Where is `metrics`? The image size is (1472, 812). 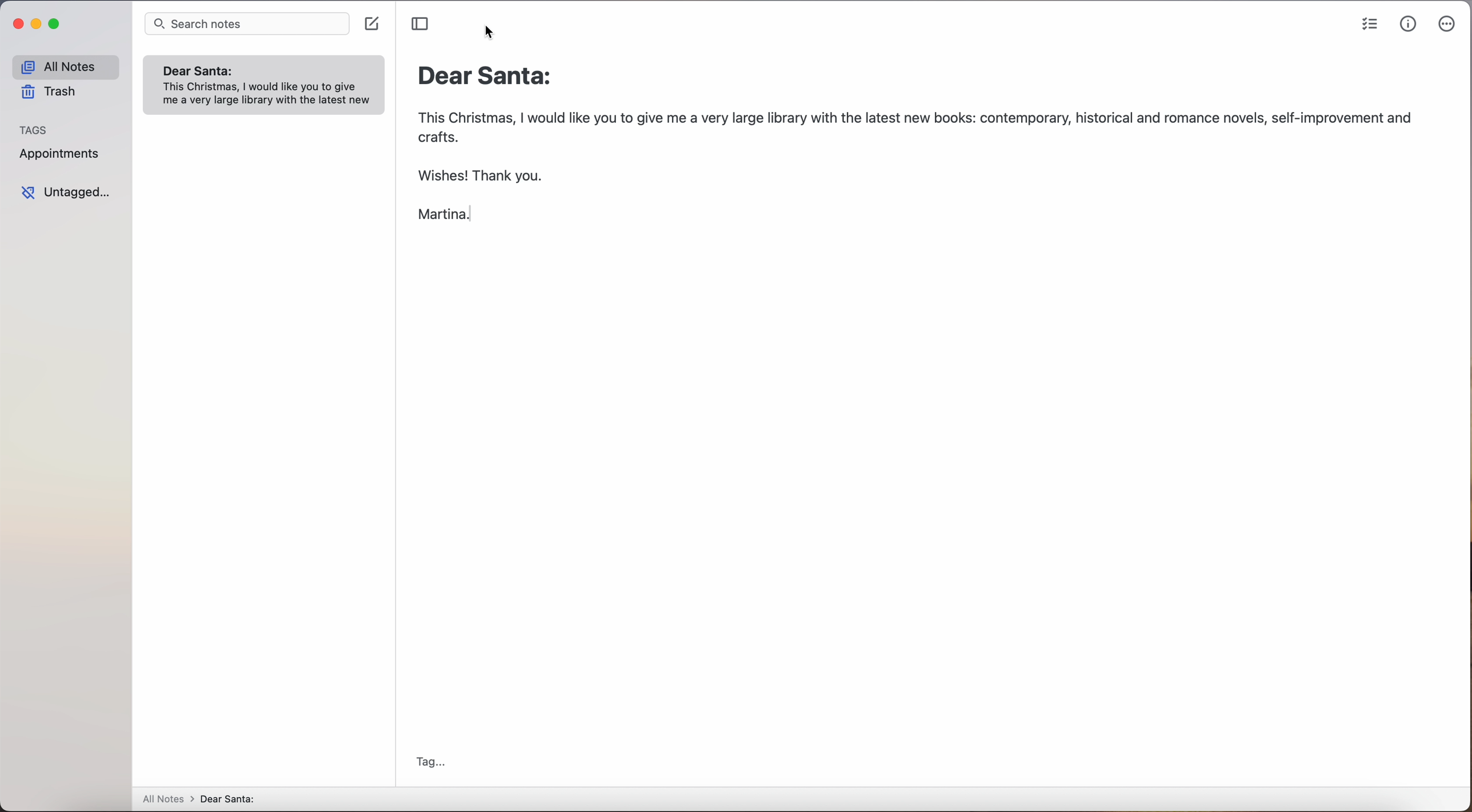
metrics is located at coordinates (1409, 24).